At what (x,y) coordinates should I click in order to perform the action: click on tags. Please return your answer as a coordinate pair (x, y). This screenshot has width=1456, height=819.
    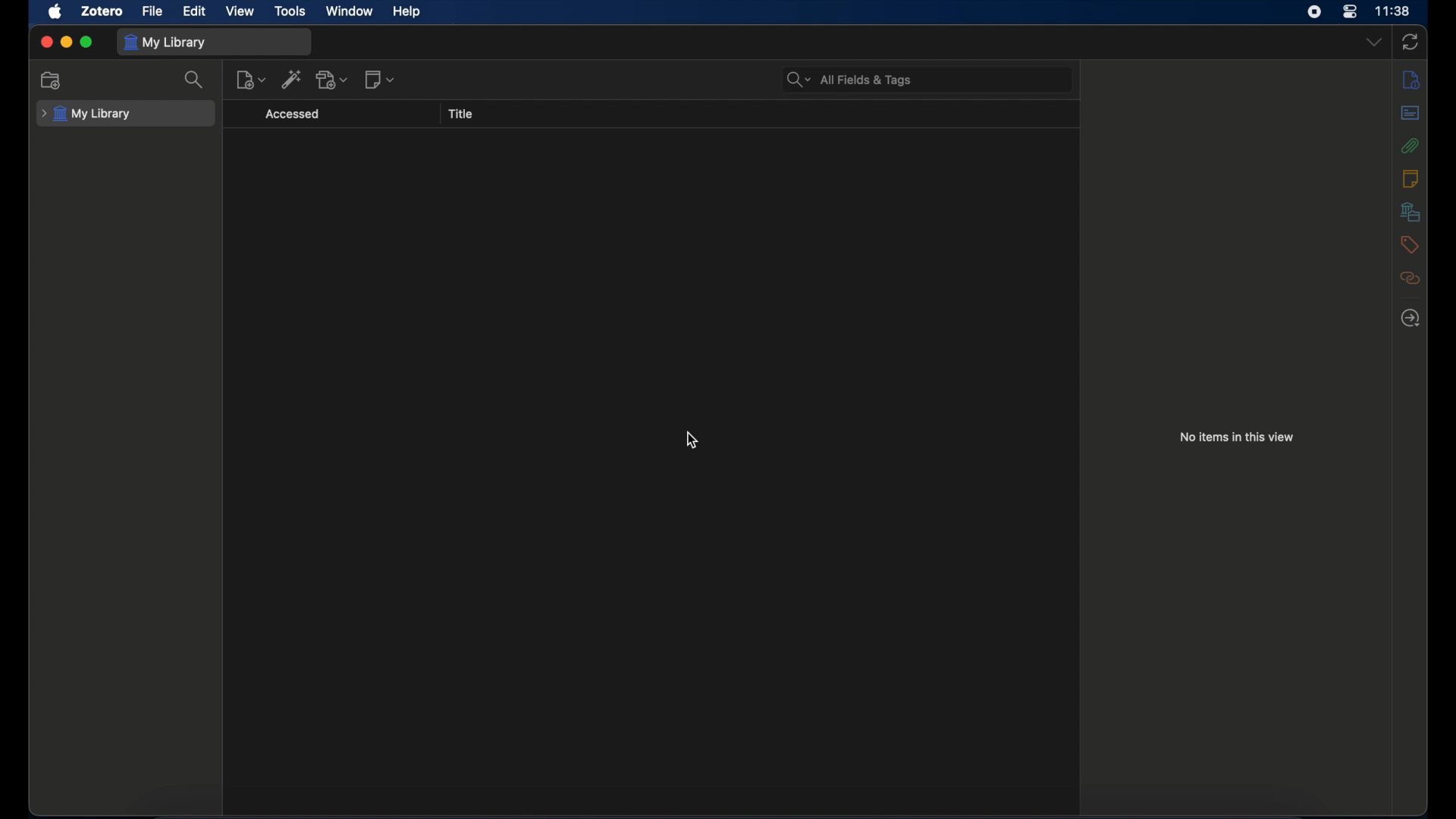
    Looking at the image, I should click on (1410, 244).